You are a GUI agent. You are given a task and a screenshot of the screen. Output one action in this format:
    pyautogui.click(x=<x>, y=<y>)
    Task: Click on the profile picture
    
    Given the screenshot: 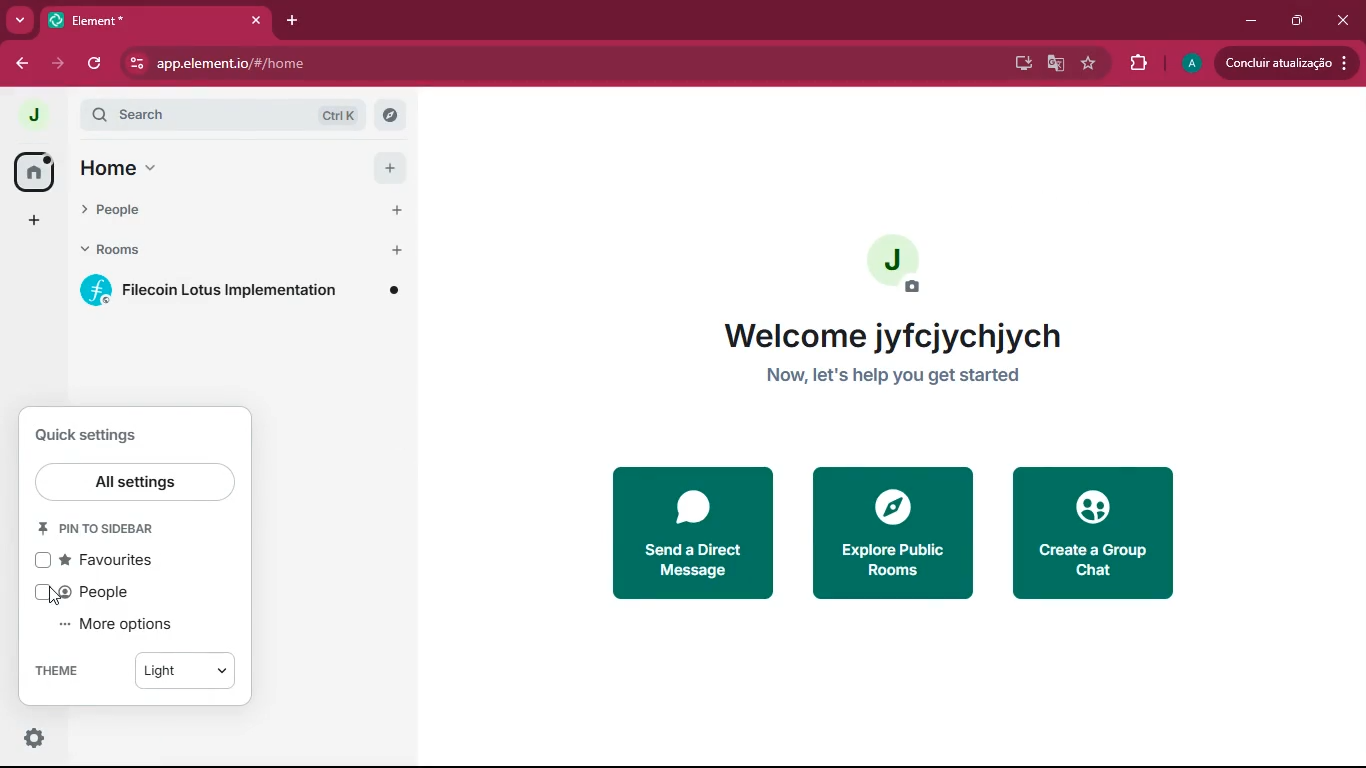 What is the action you would take?
    pyautogui.click(x=891, y=264)
    